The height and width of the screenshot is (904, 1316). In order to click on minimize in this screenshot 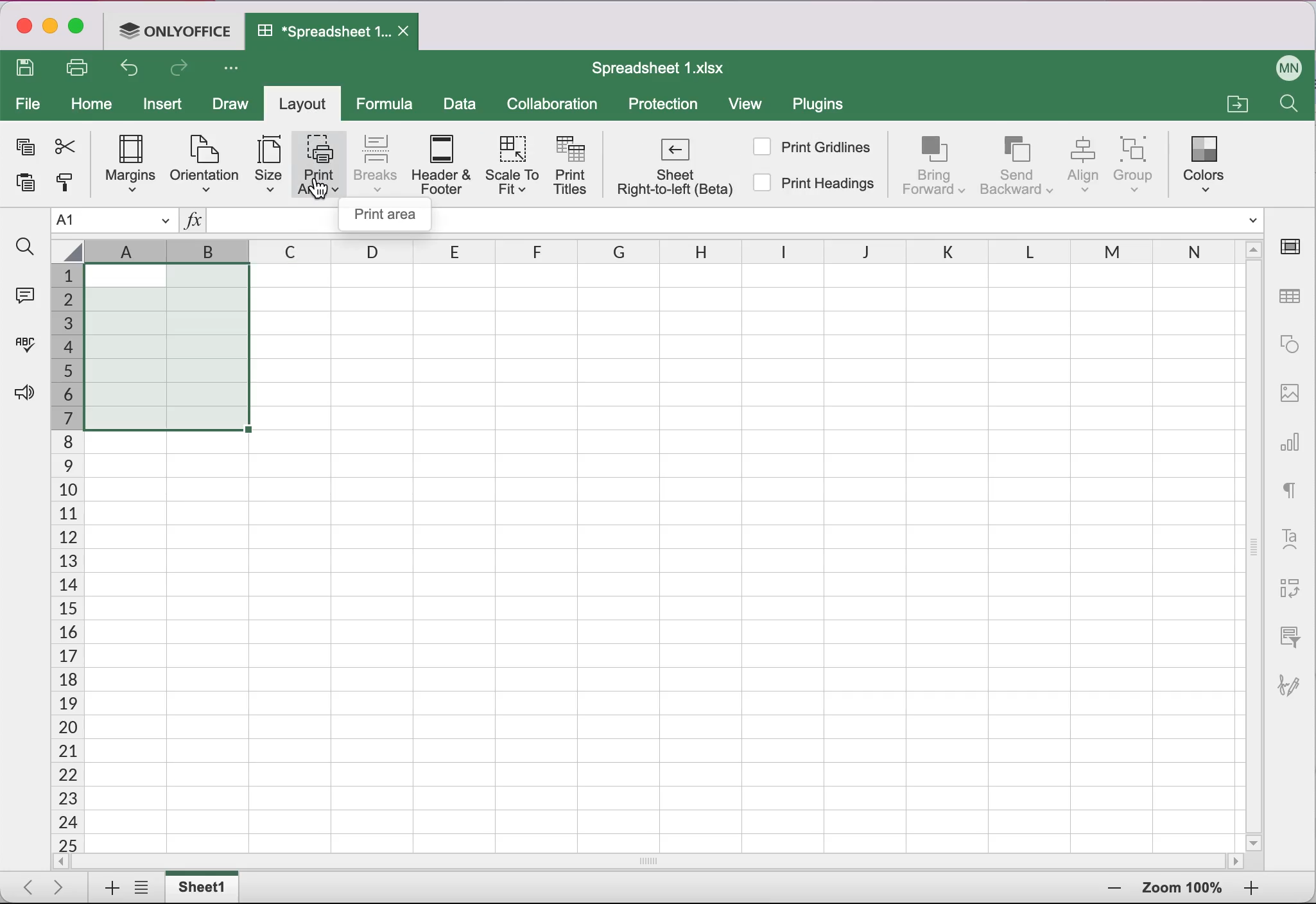, I will do `click(50, 28)`.